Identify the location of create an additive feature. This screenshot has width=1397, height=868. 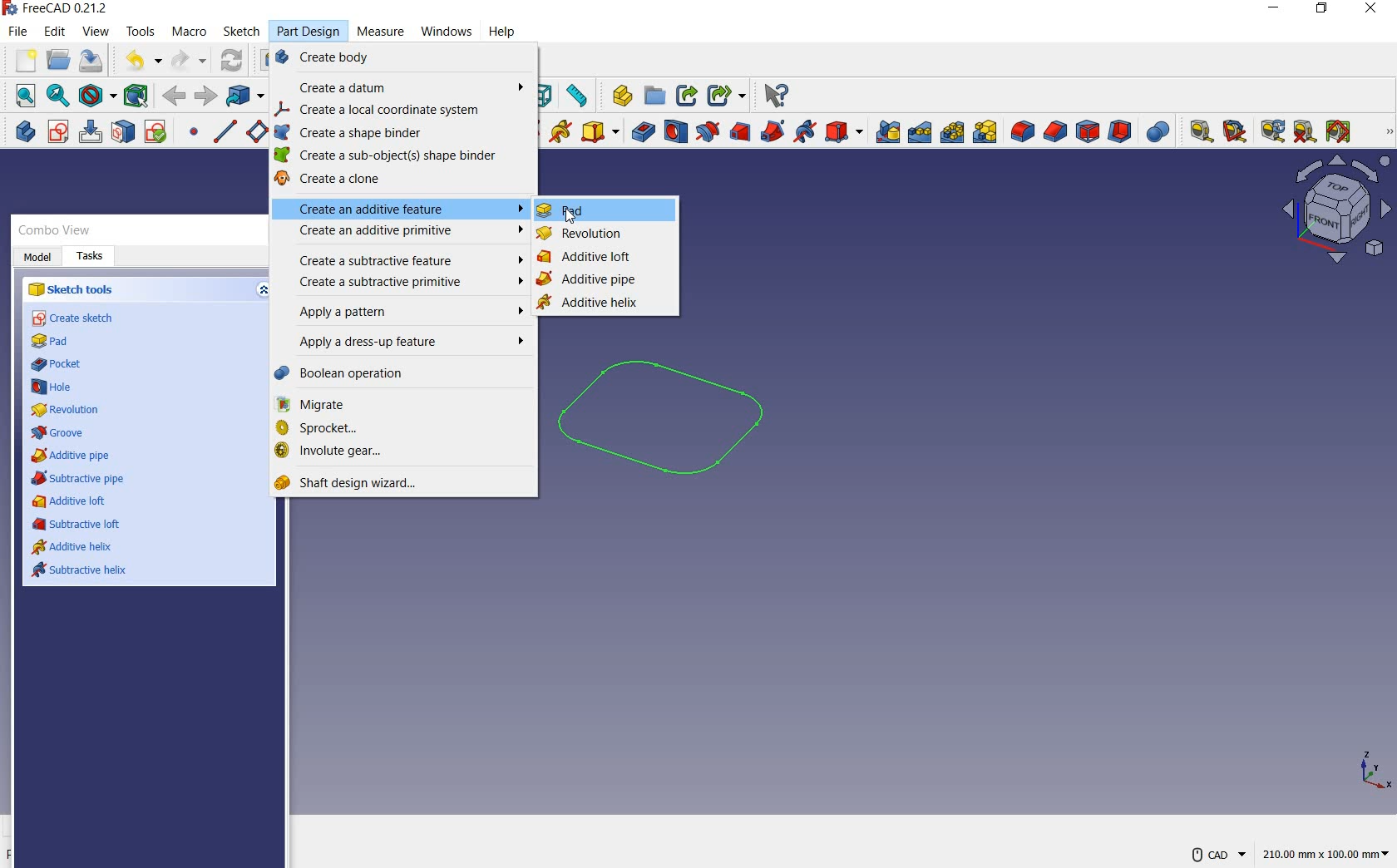
(402, 209).